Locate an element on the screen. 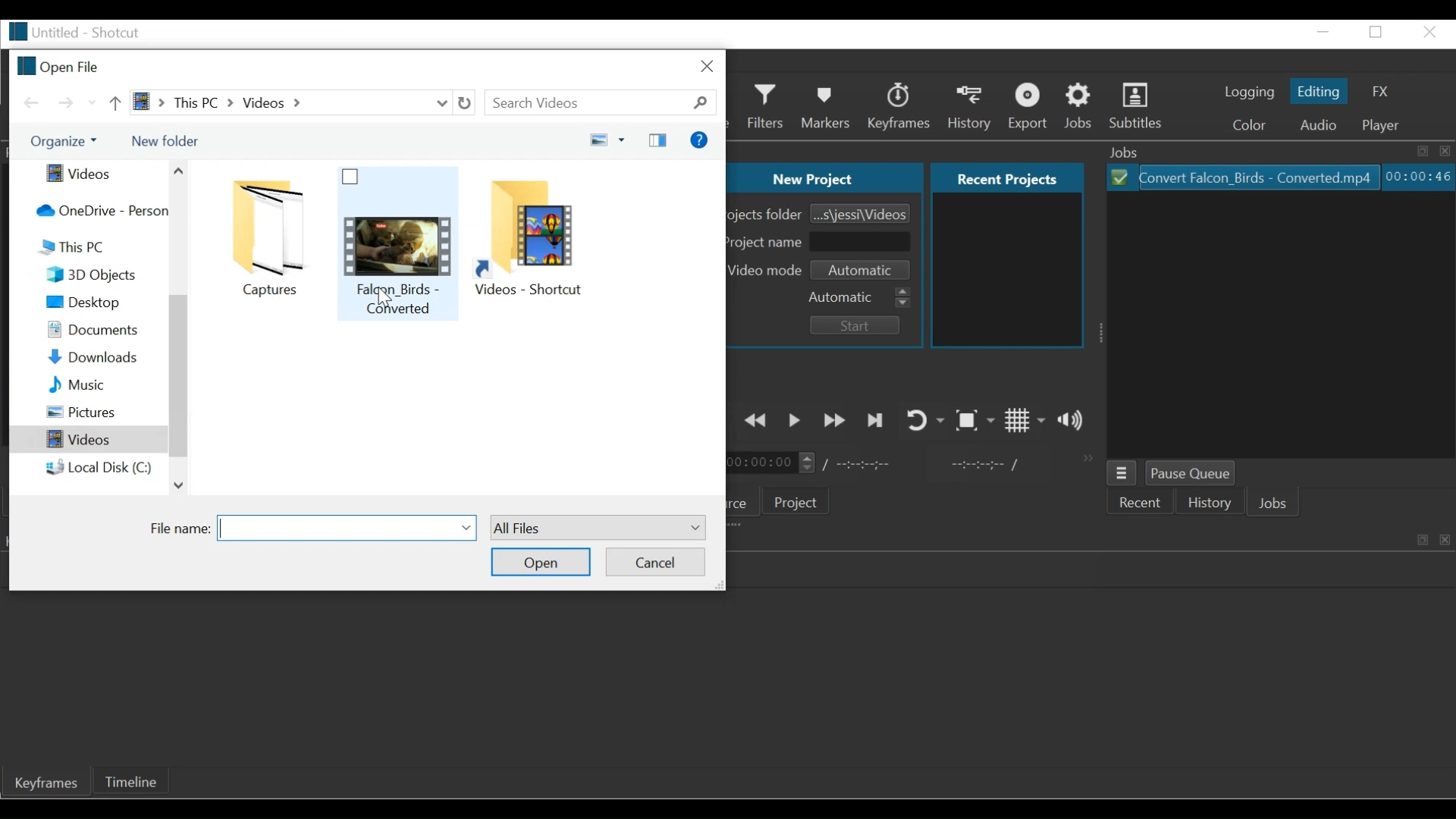  Play quickly forward is located at coordinates (834, 420).